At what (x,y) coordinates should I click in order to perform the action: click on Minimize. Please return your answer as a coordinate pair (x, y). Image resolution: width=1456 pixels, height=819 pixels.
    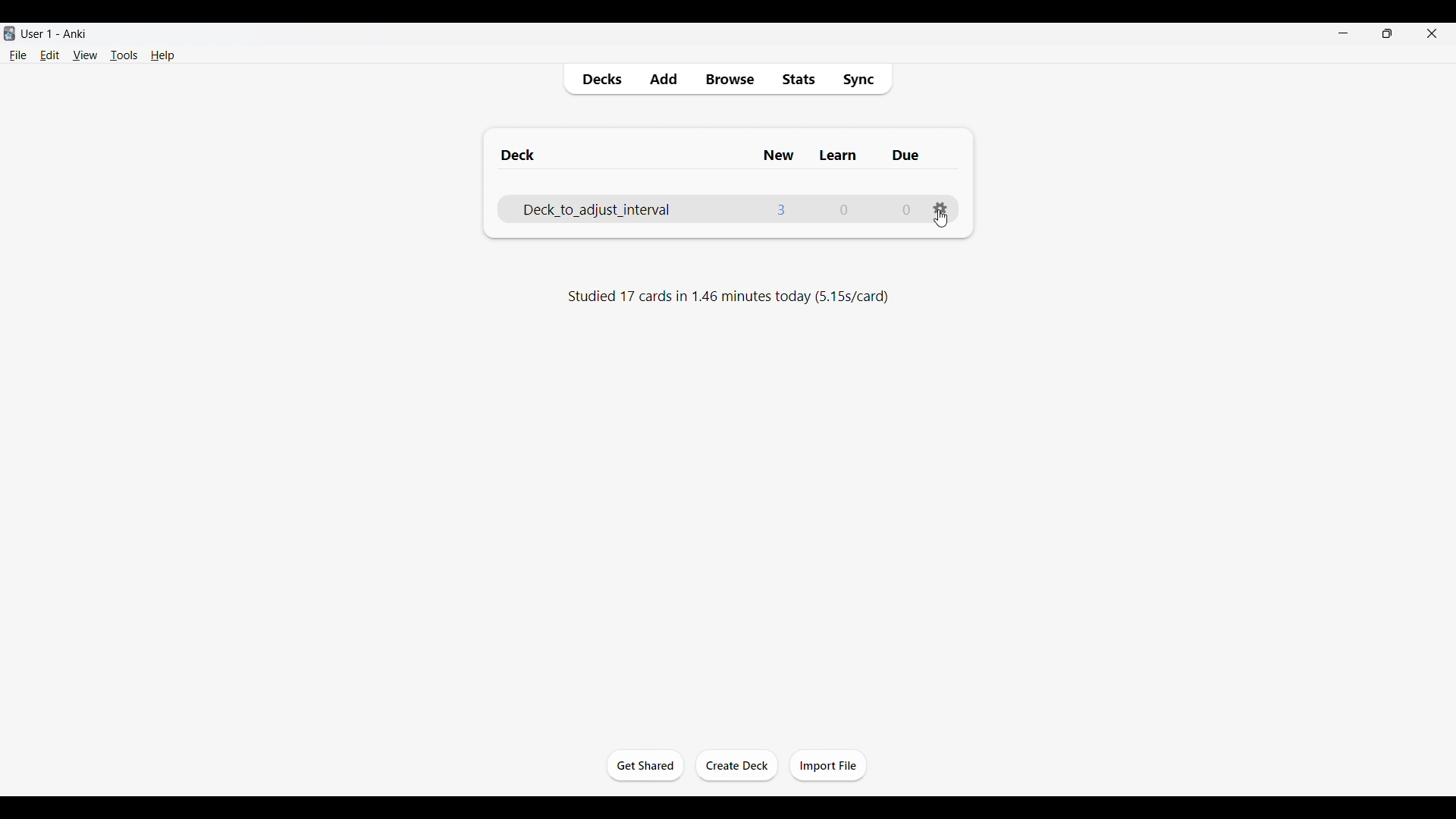
    Looking at the image, I should click on (1344, 33).